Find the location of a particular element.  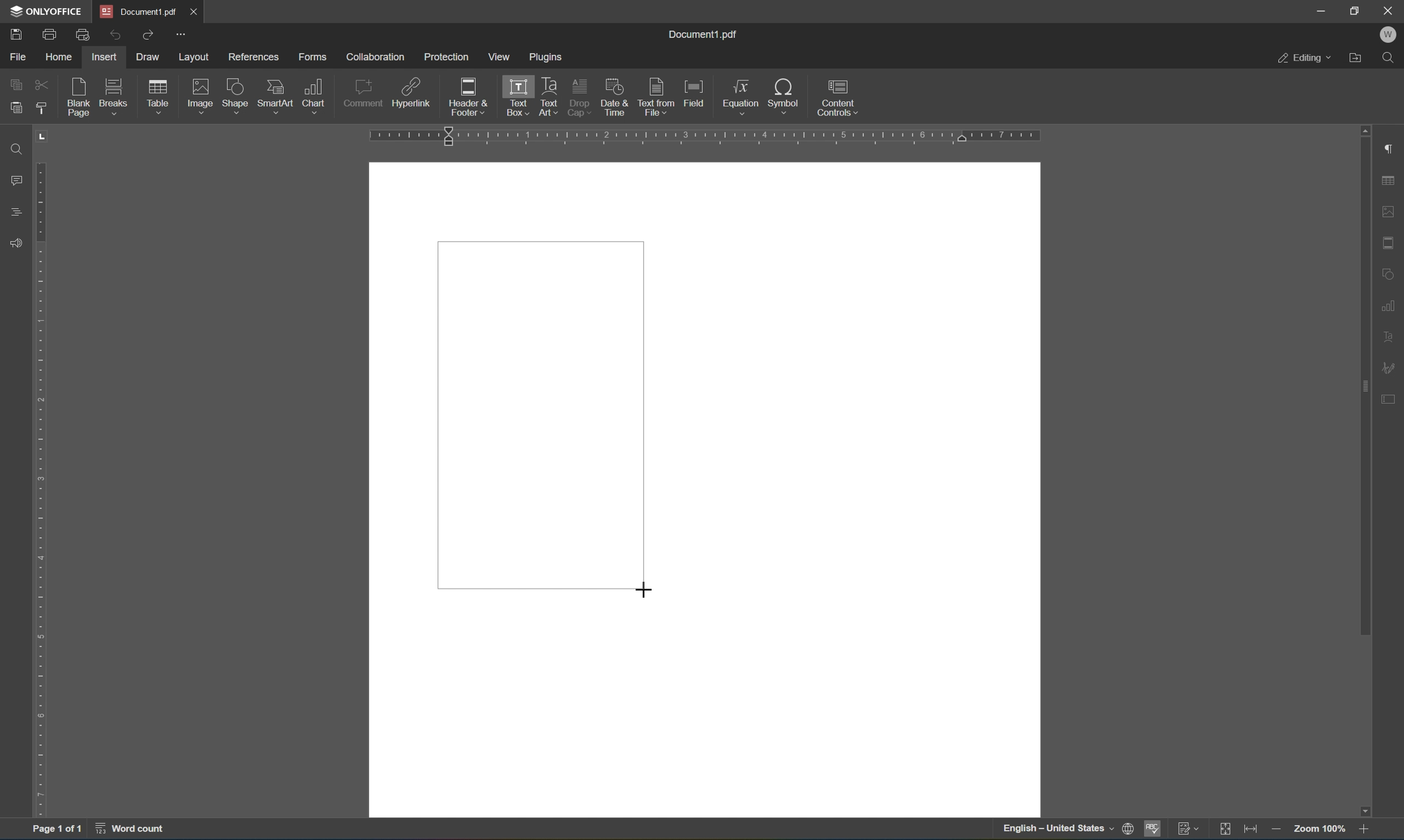

word count is located at coordinates (131, 829).